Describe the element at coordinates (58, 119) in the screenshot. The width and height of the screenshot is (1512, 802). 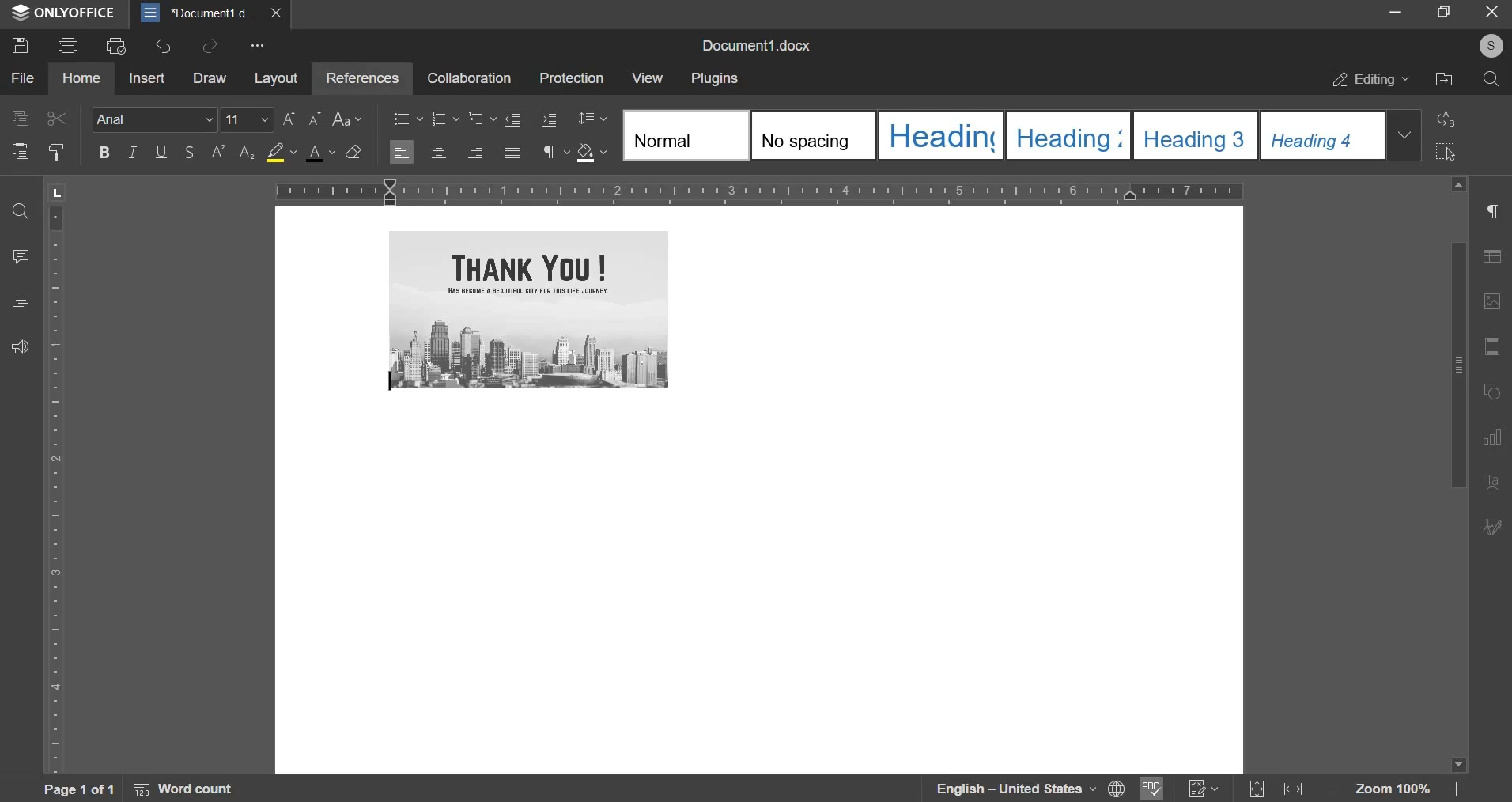
I see `cut` at that location.